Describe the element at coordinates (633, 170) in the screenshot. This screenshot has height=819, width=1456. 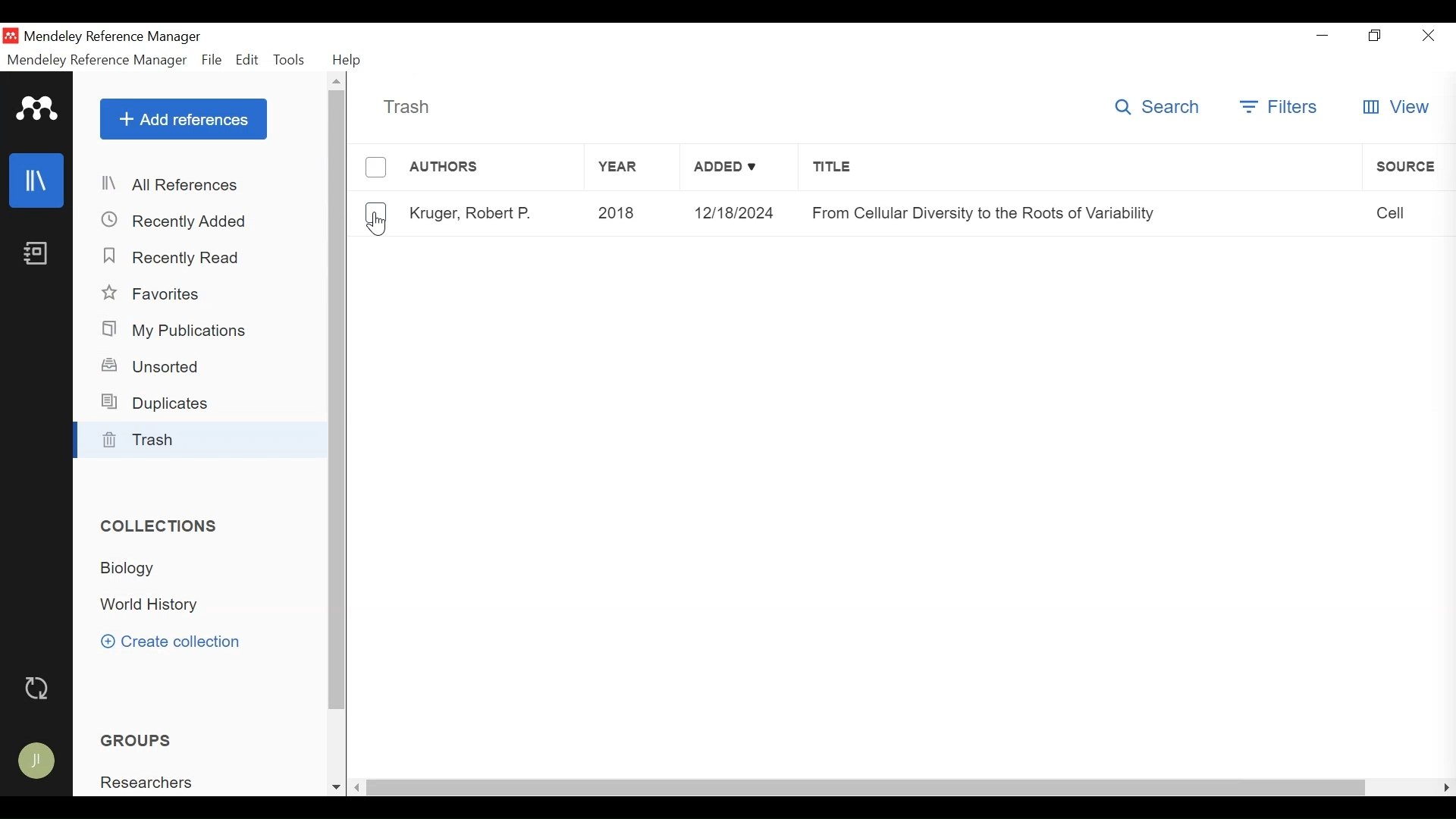
I see `Year` at that location.